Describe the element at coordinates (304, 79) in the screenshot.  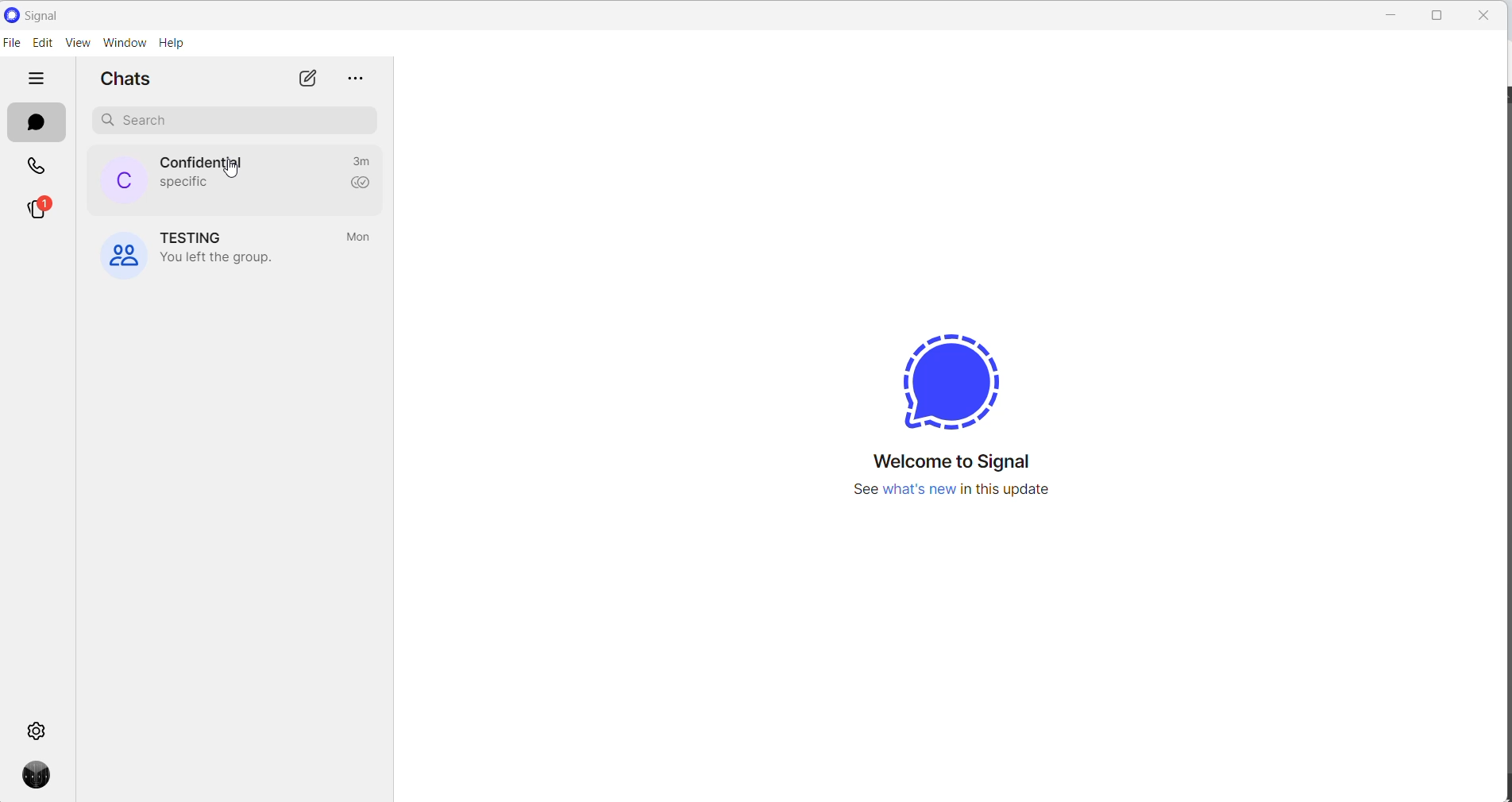
I see `new chats` at that location.